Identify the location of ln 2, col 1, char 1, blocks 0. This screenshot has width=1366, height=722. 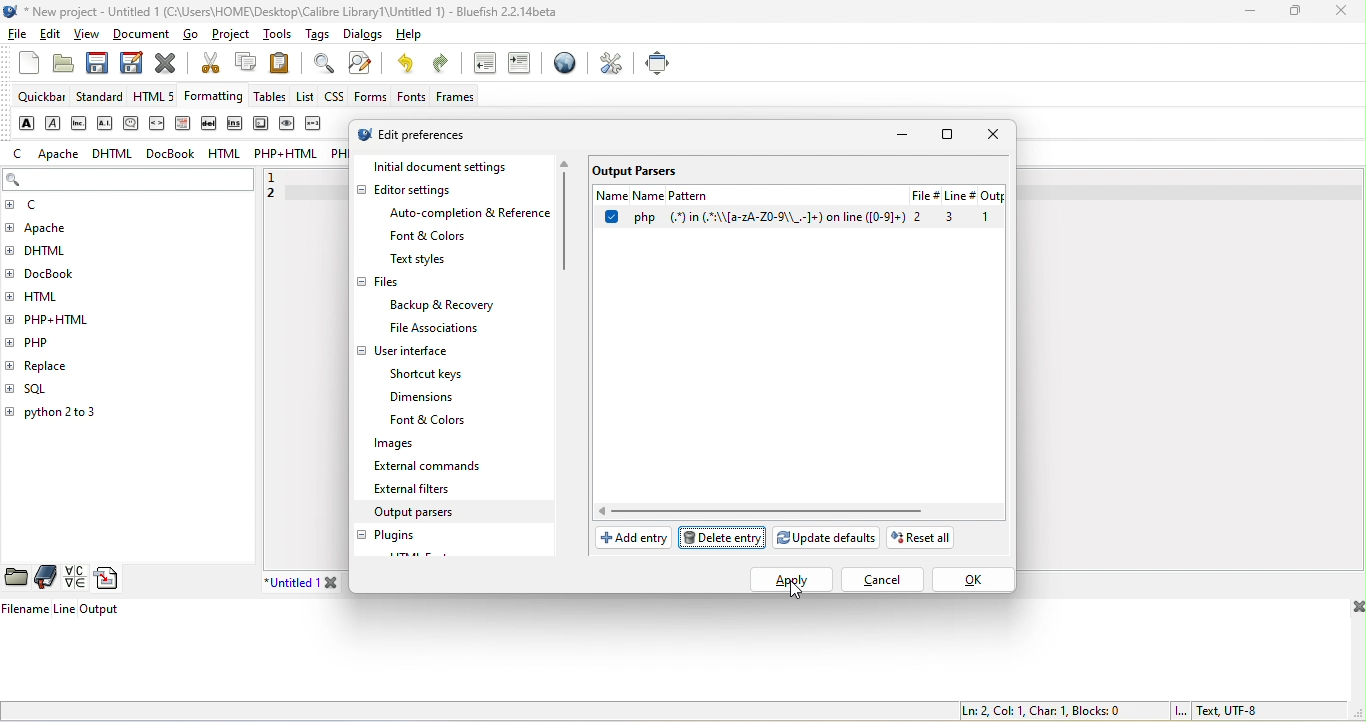
(1039, 710).